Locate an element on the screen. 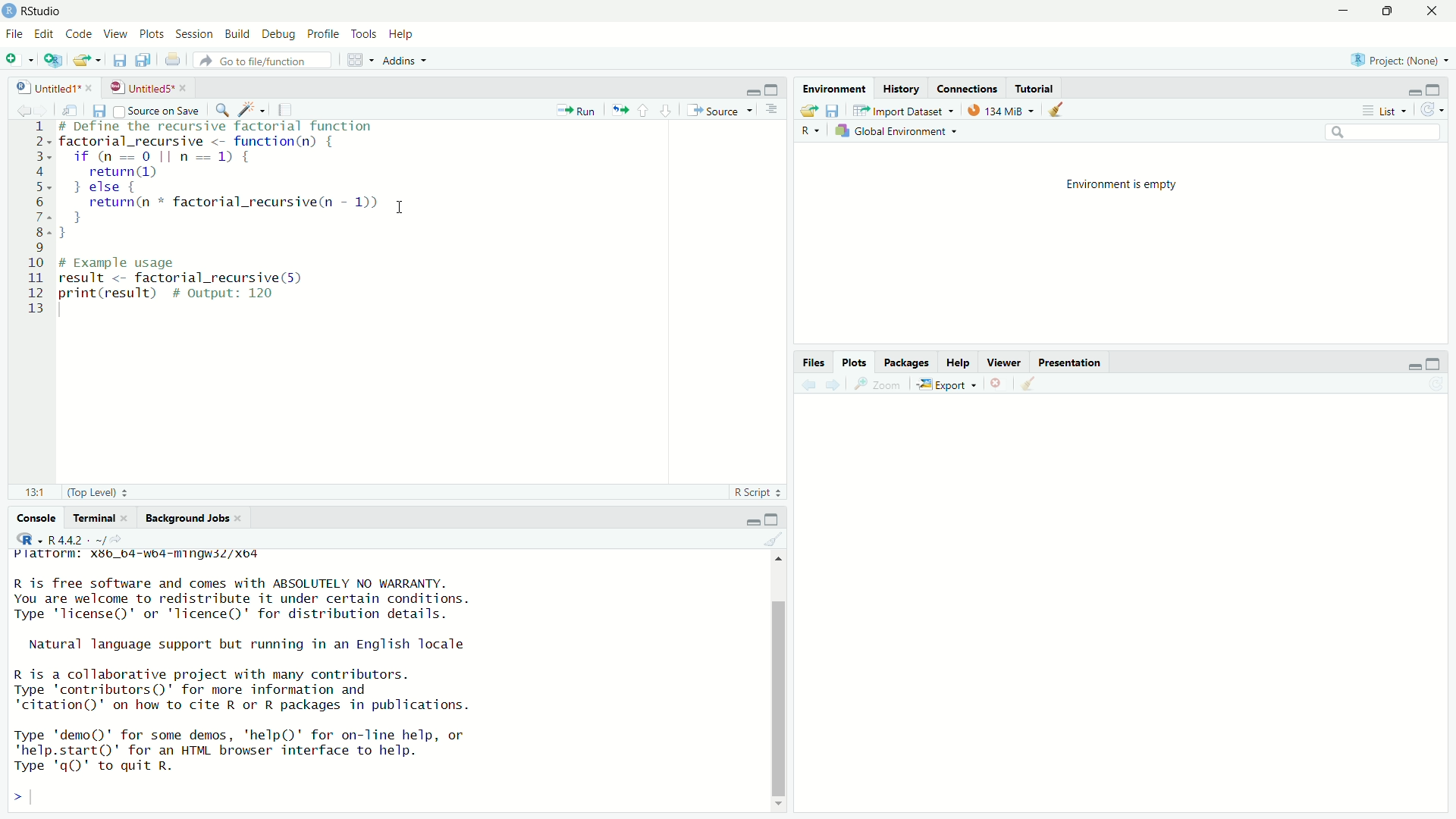  Go back to the previous source location (Ctrl + F9) is located at coordinates (22, 108).